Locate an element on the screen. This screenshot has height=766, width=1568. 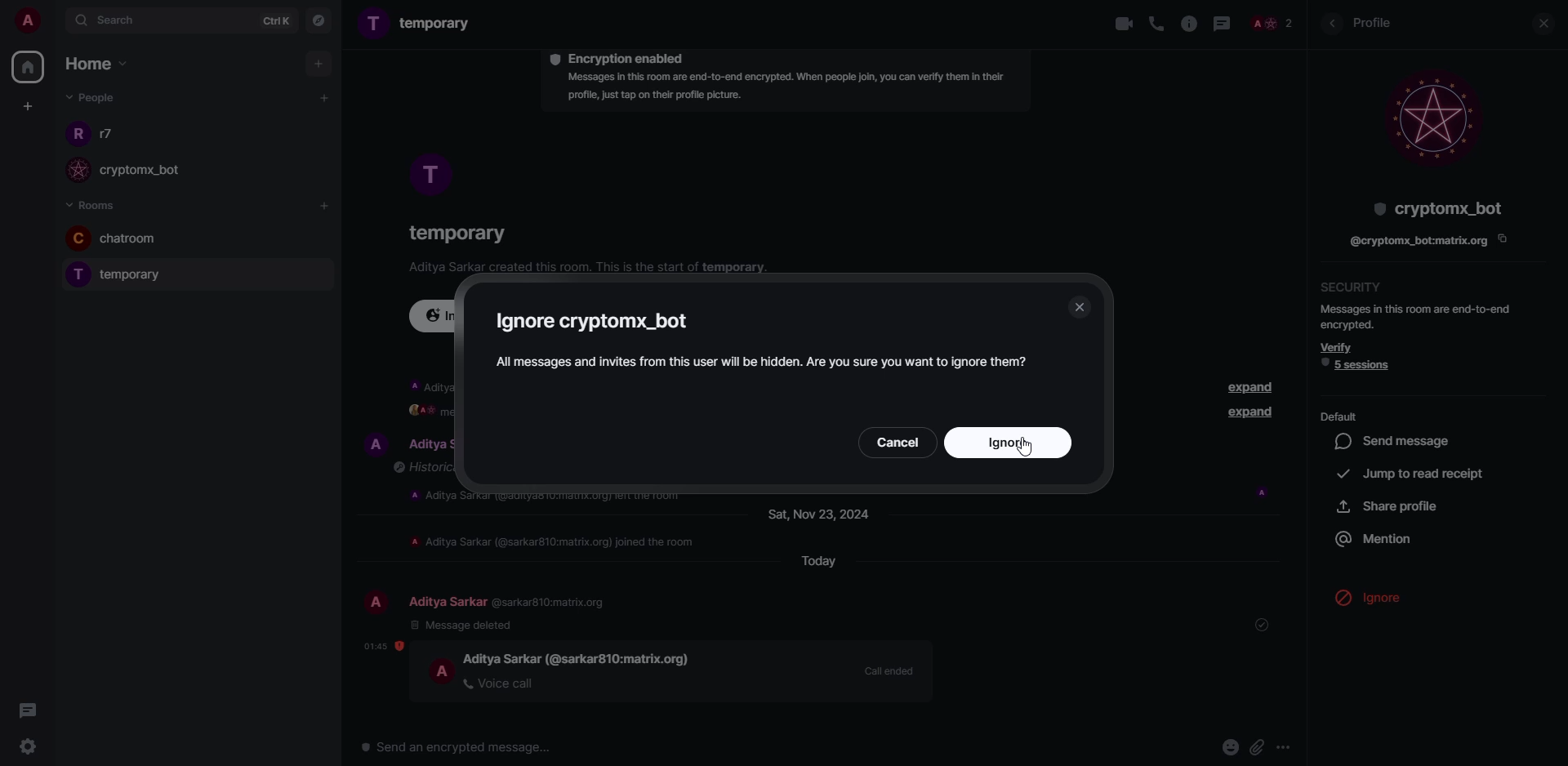
profile is located at coordinates (430, 175).